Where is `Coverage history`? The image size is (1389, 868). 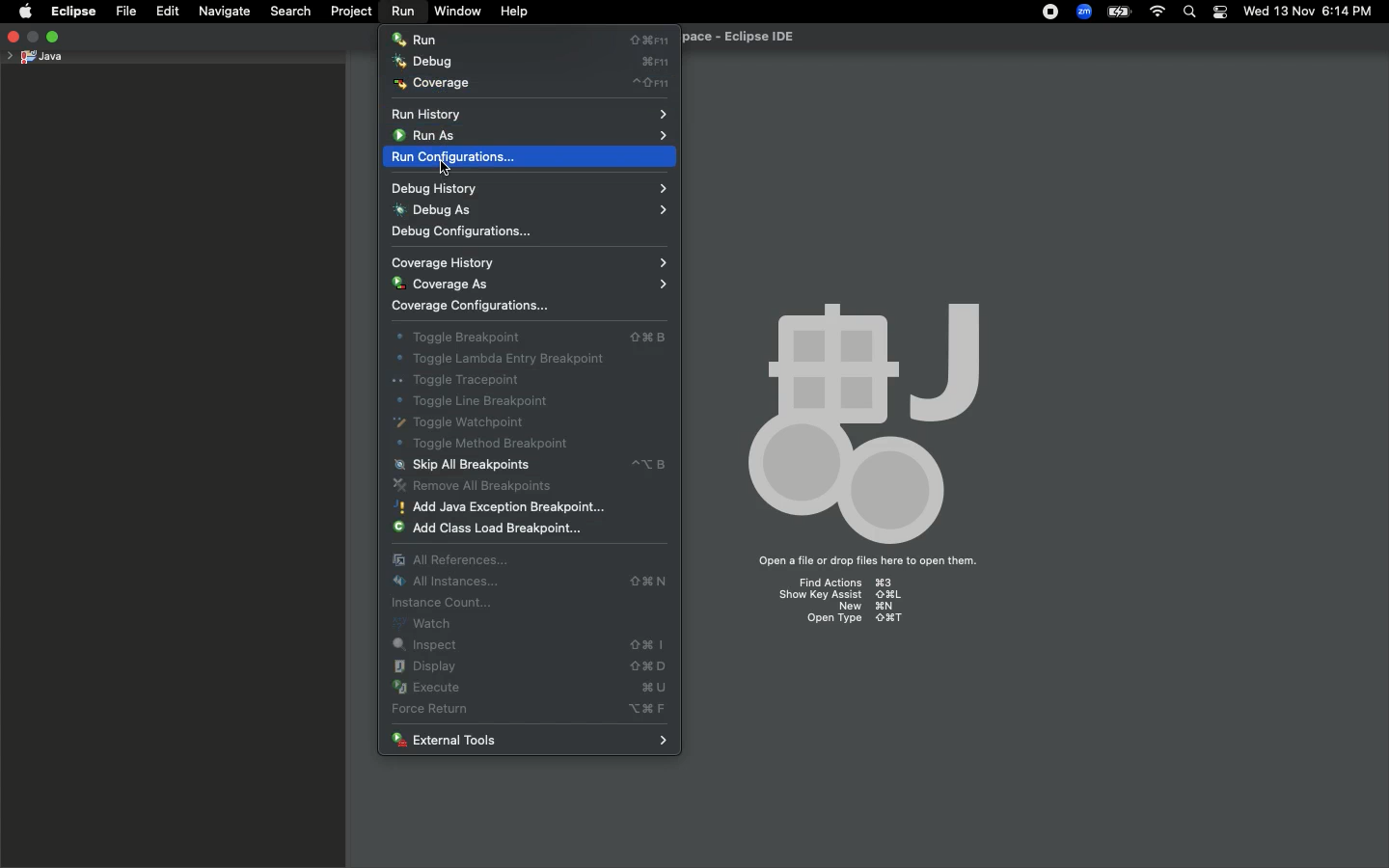 Coverage history is located at coordinates (530, 263).